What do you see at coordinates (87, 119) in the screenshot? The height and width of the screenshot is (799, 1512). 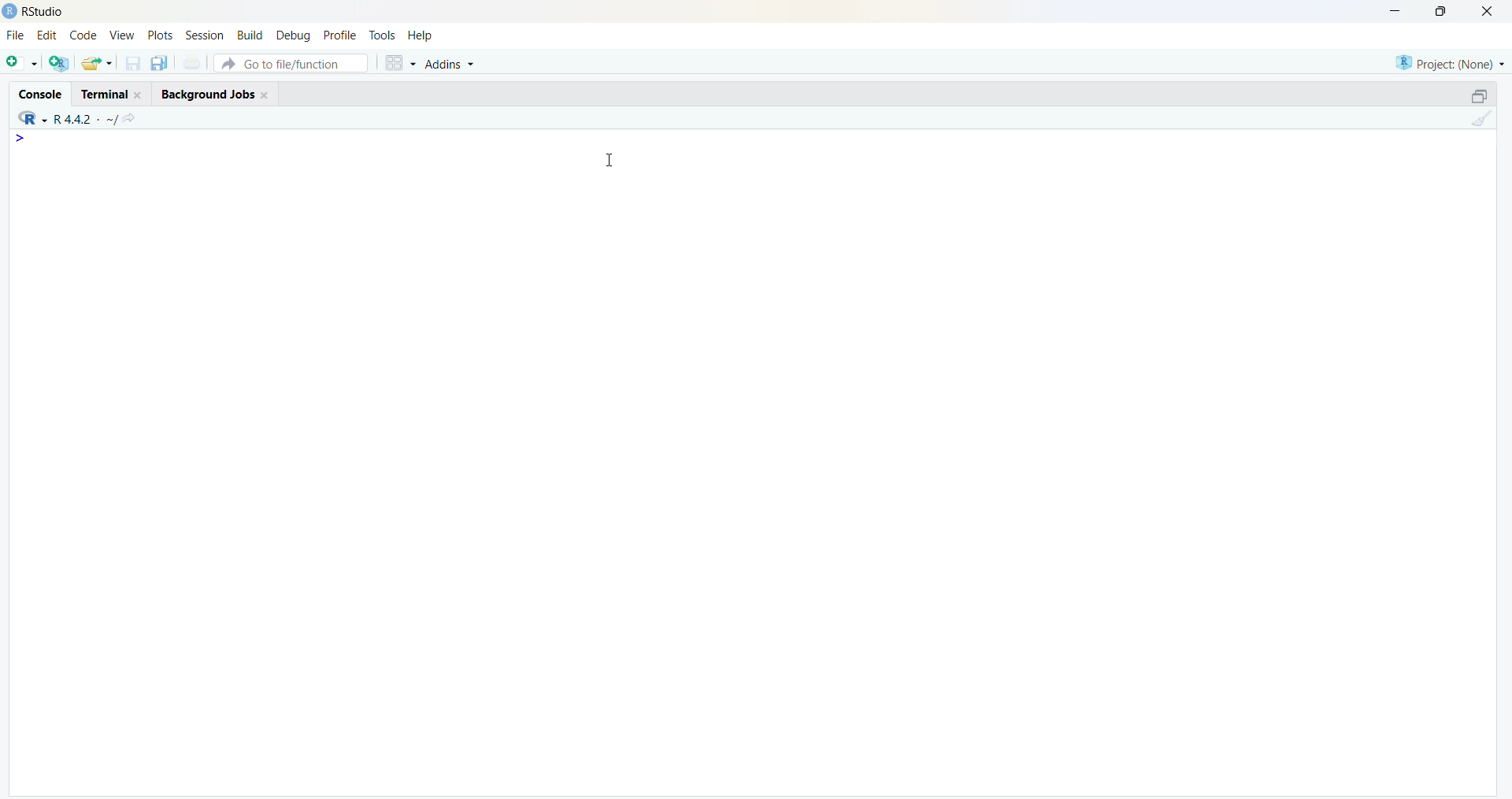 I see `R 4.4.2 ~/` at bounding box center [87, 119].